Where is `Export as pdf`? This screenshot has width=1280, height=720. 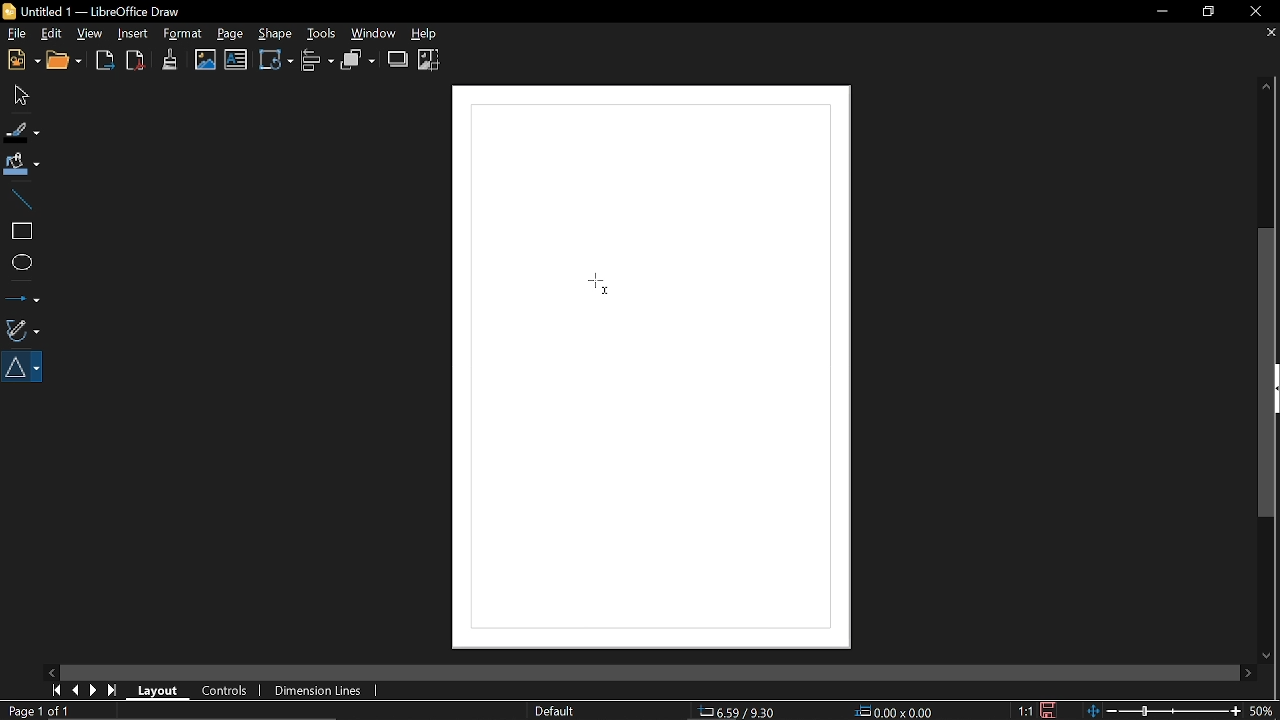 Export as pdf is located at coordinates (136, 61).